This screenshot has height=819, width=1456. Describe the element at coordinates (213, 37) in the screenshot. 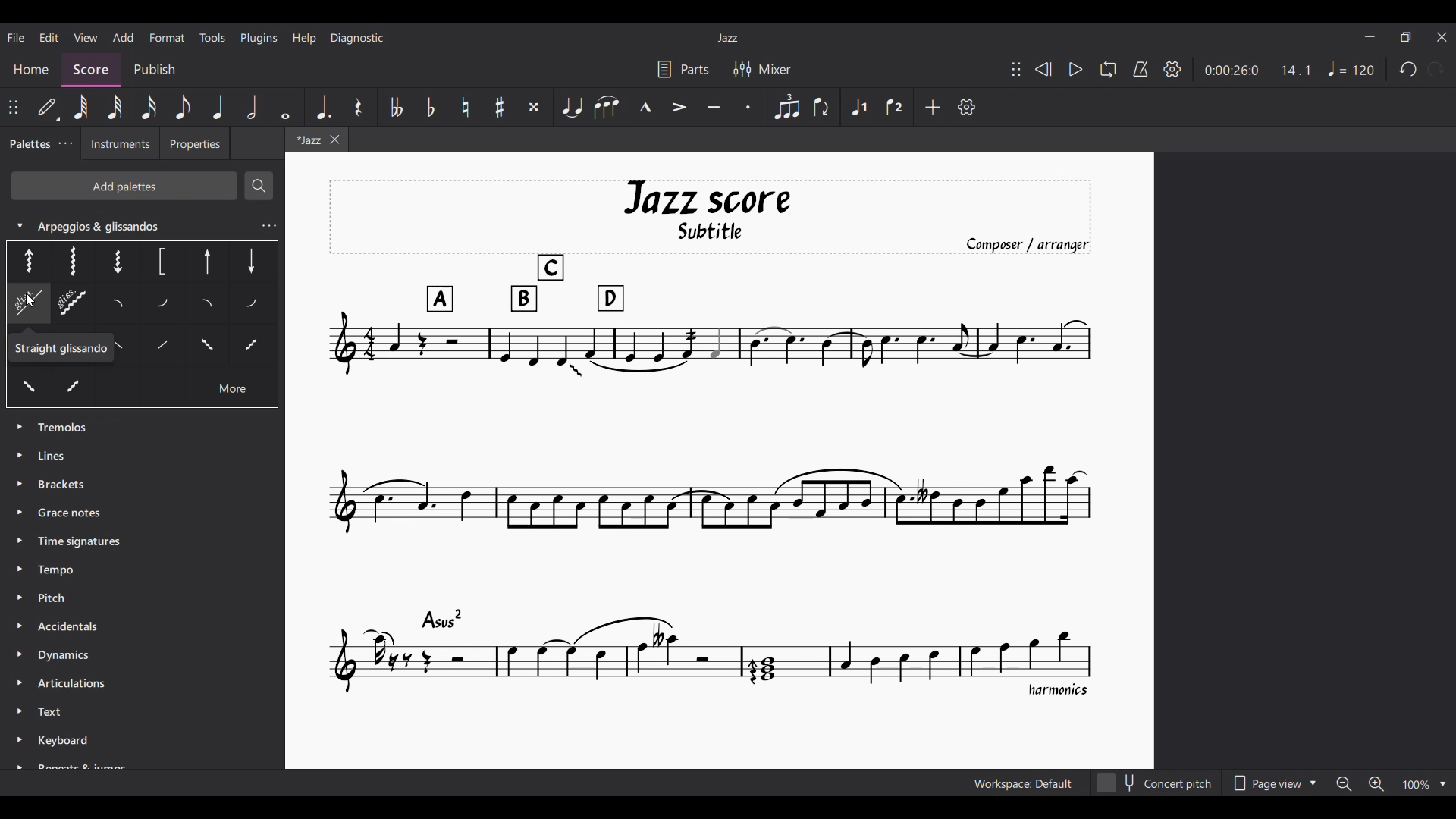

I see `Tools menu` at that location.